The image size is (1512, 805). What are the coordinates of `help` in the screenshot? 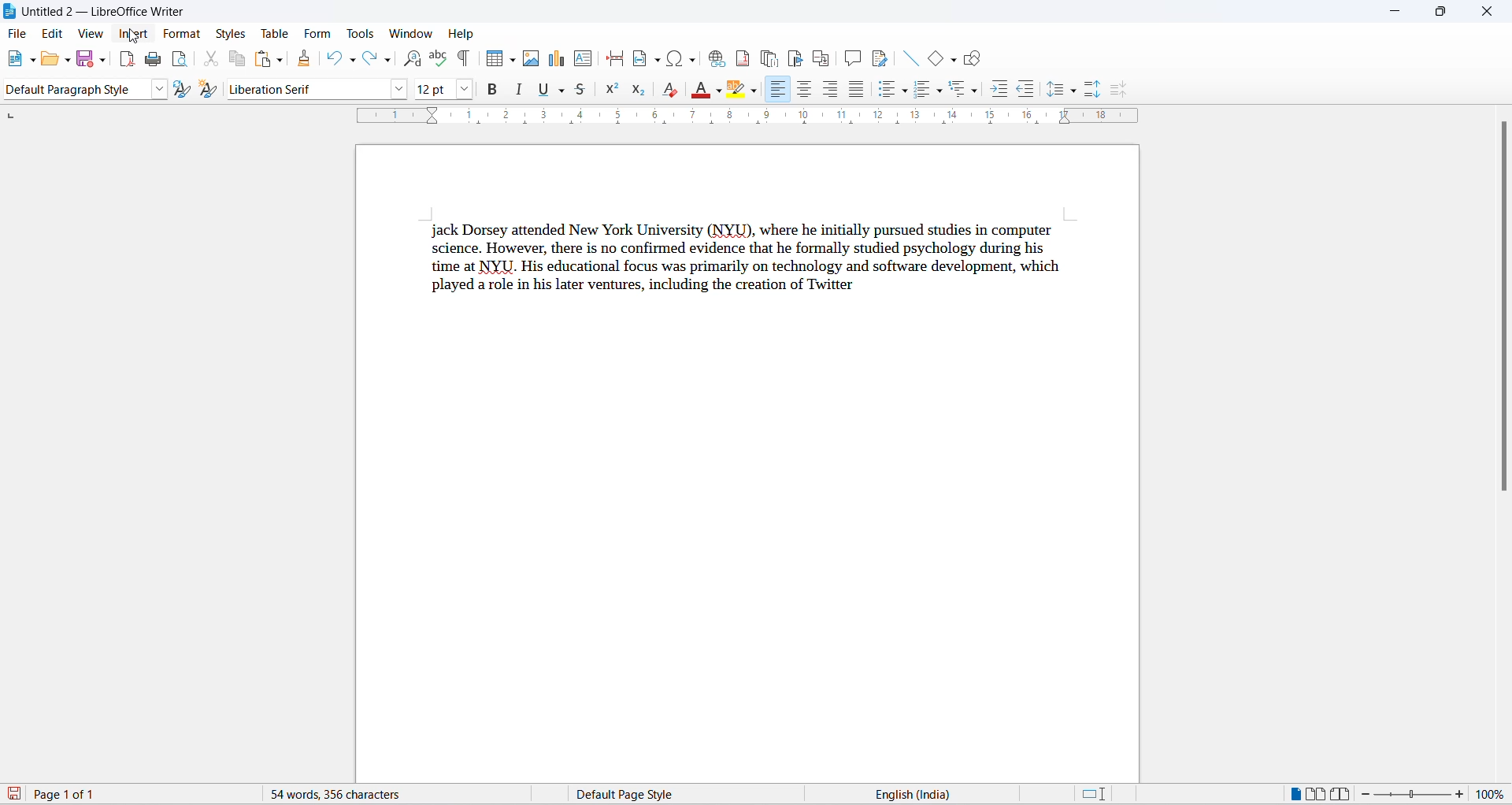 It's located at (460, 34).